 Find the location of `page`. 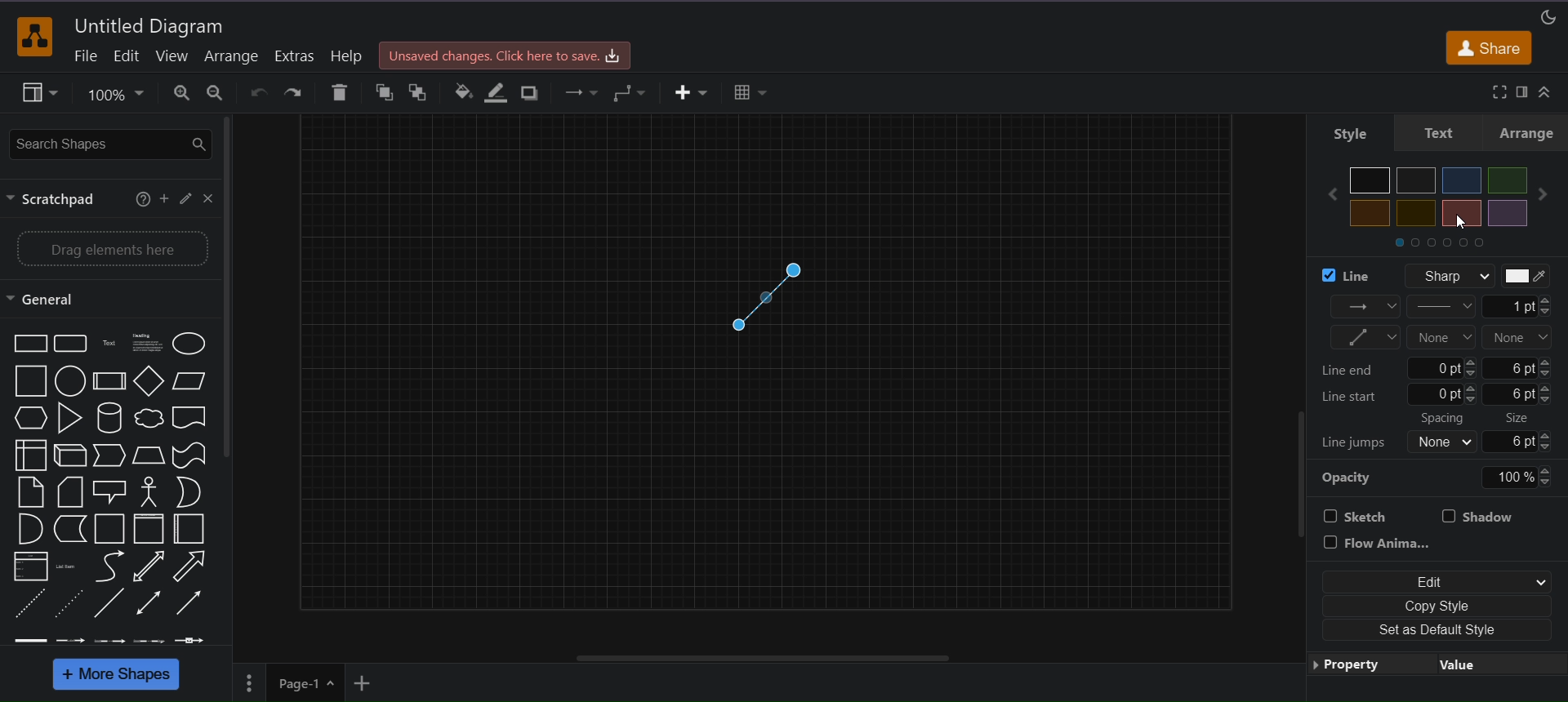

page is located at coordinates (247, 683).